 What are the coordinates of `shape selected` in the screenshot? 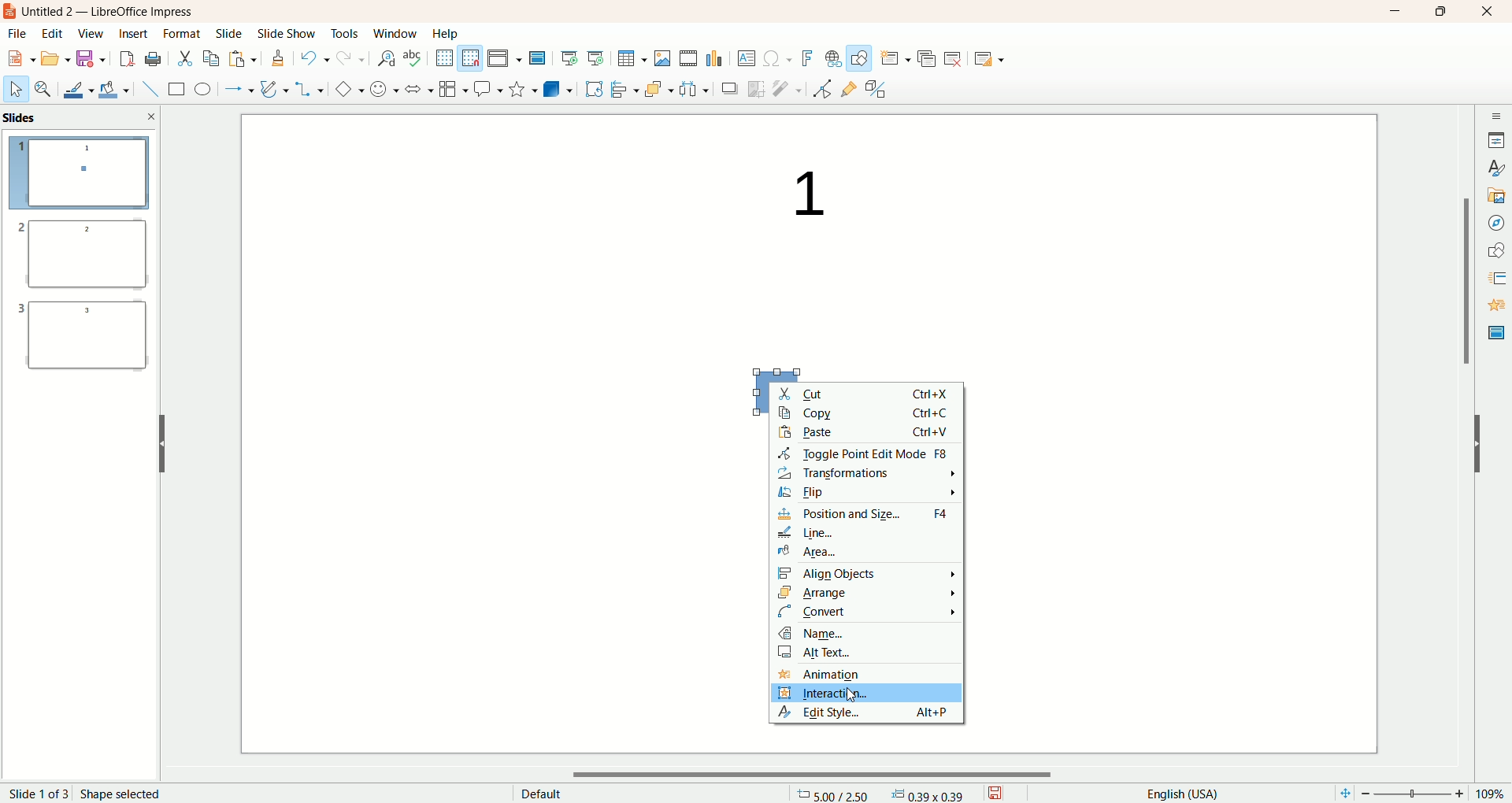 It's located at (124, 792).